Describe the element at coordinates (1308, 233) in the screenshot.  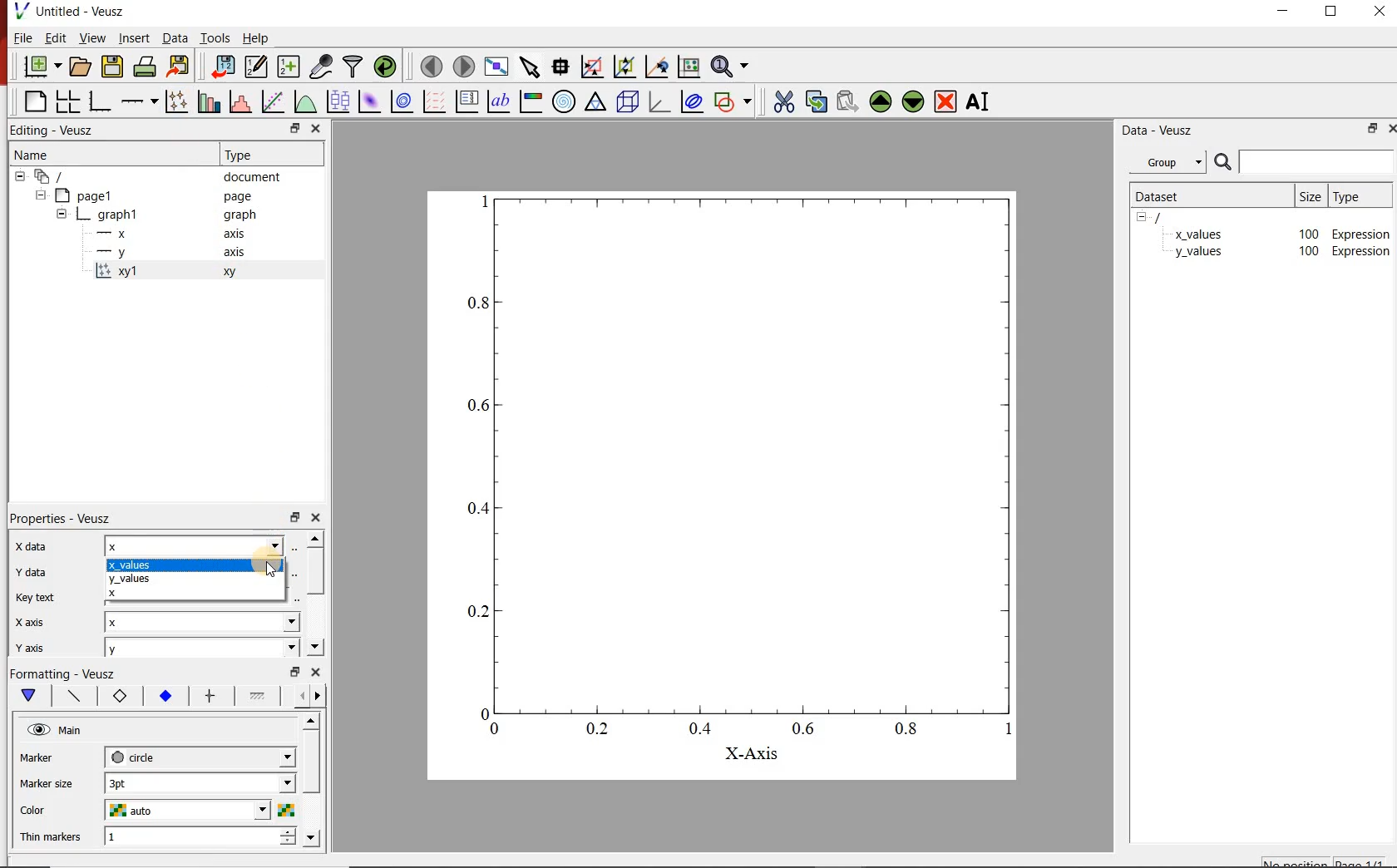
I see `100` at that location.